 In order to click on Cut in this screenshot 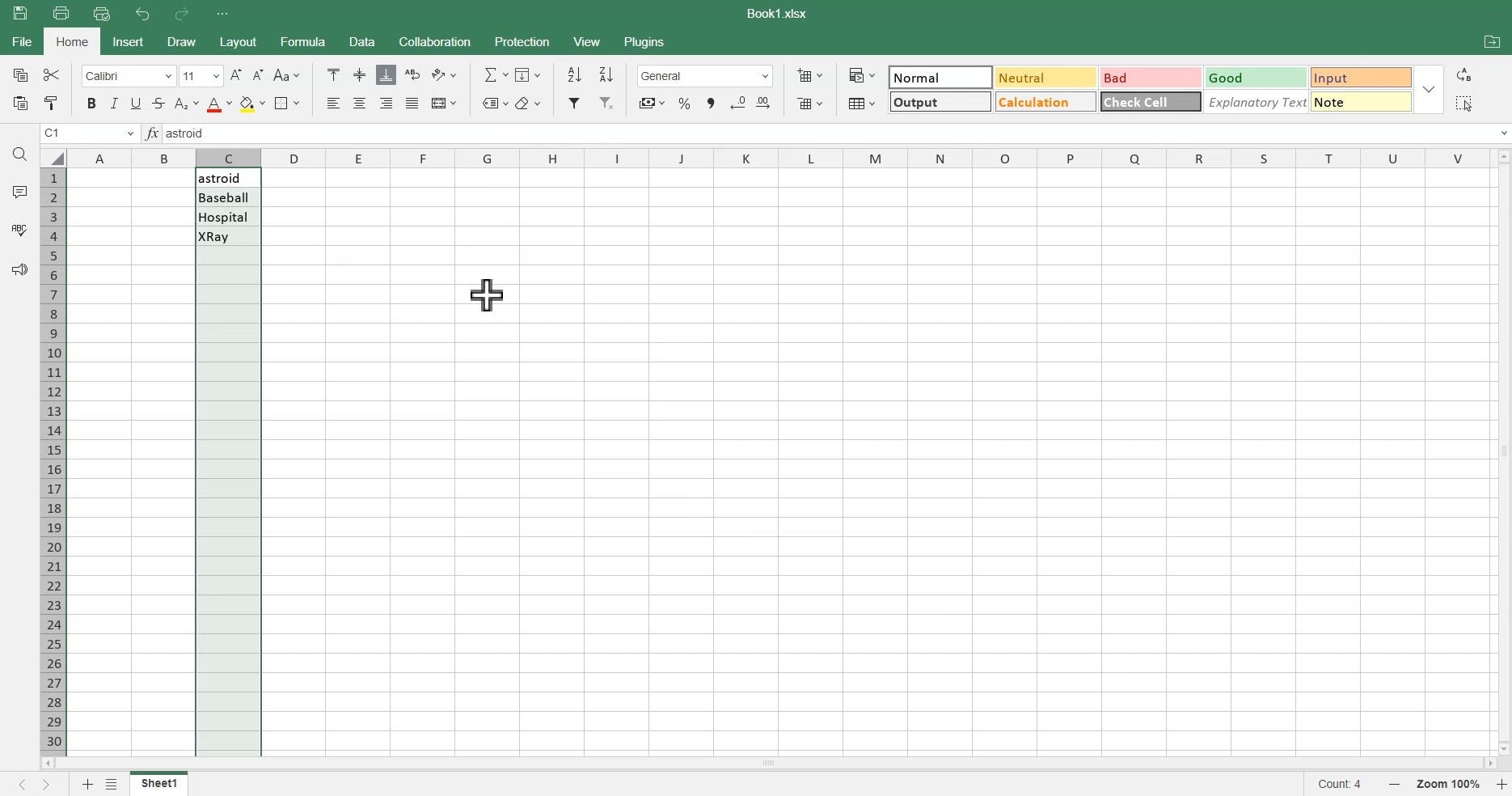, I will do `click(50, 74)`.